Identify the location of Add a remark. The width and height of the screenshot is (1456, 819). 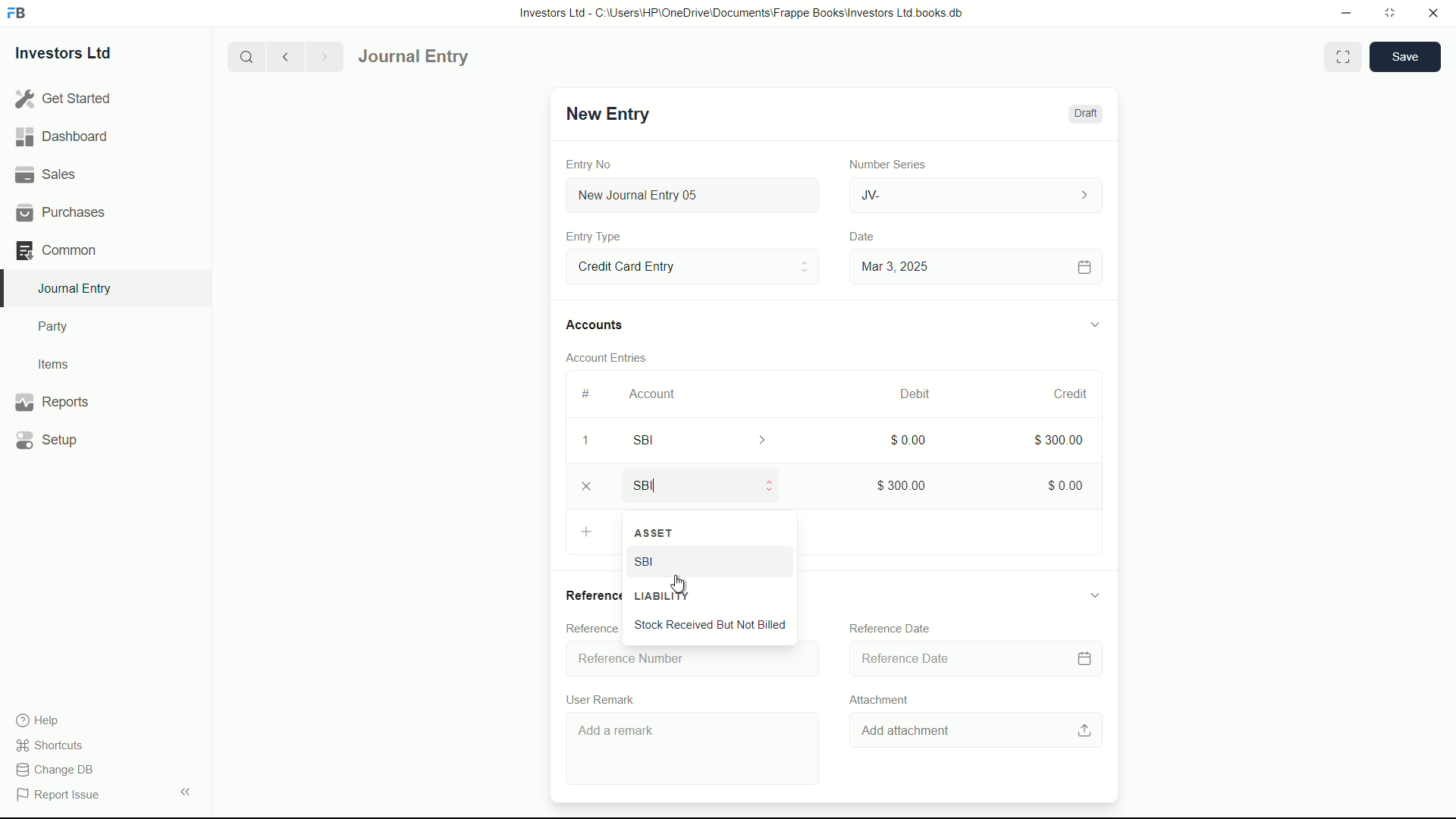
(695, 752).